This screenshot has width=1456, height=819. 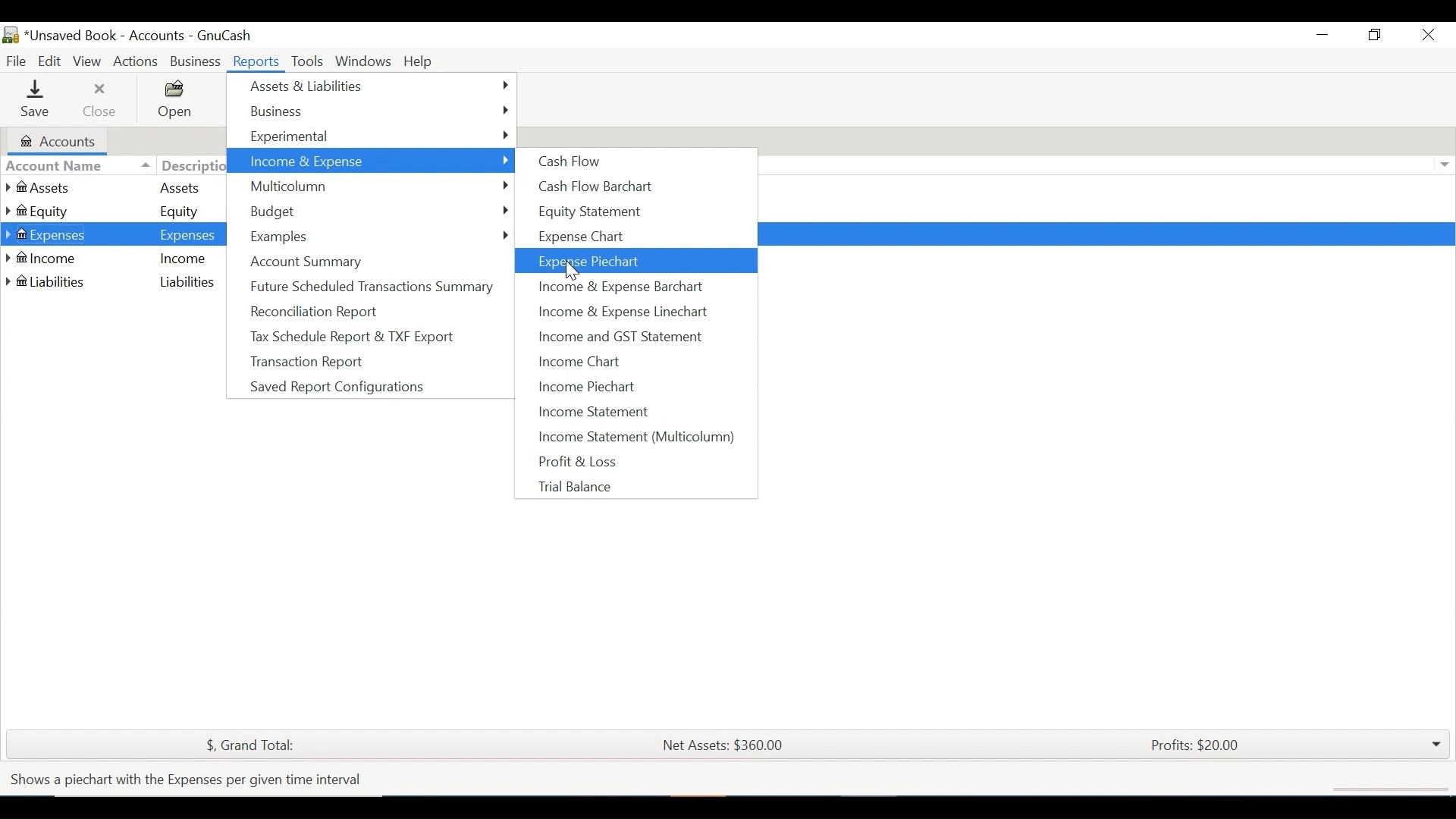 What do you see at coordinates (370, 210) in the screenshot?
I see `Budget` at bounding box center [370, 210].